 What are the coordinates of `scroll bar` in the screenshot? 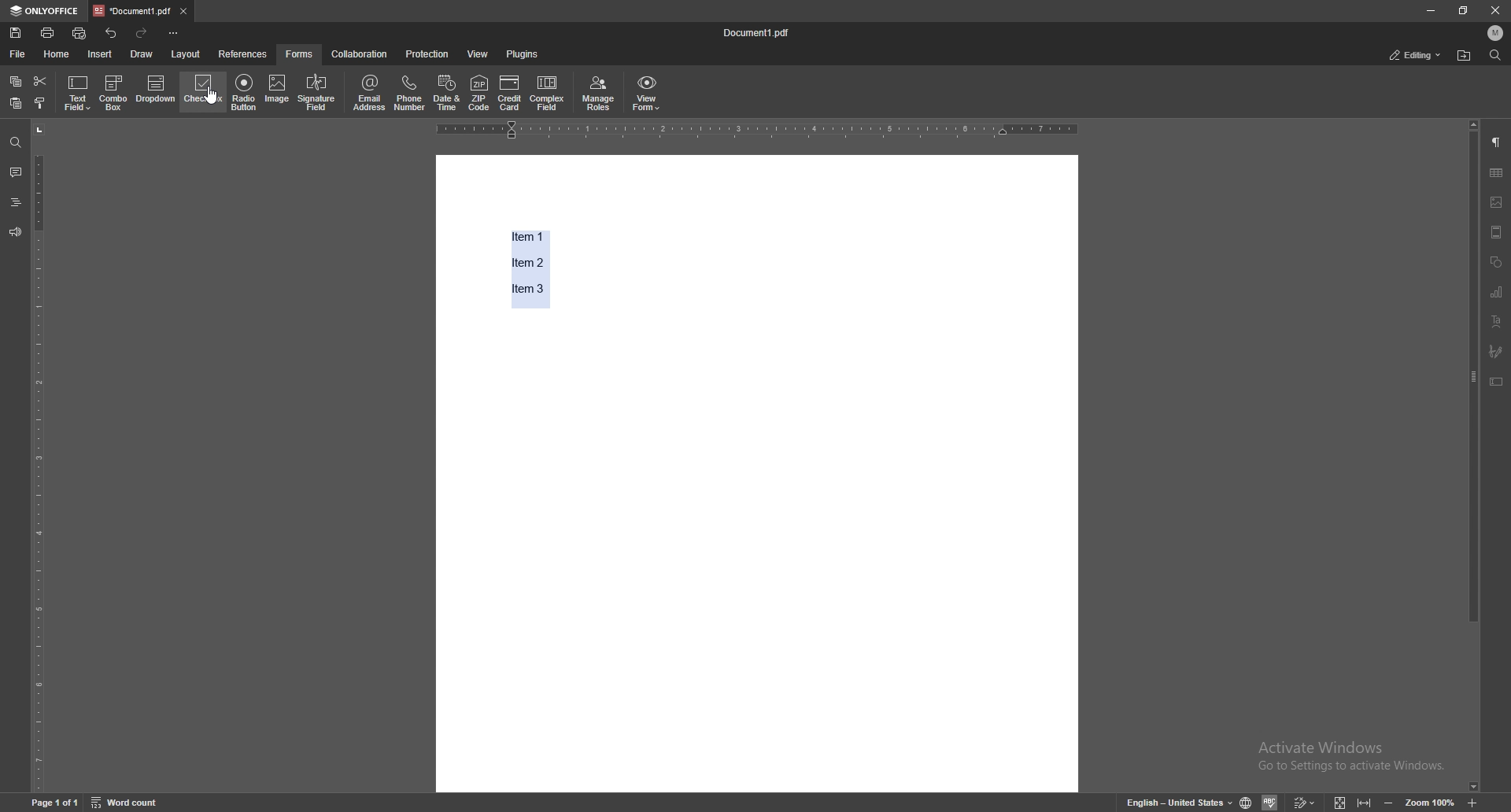 It's located at (1473, 456).